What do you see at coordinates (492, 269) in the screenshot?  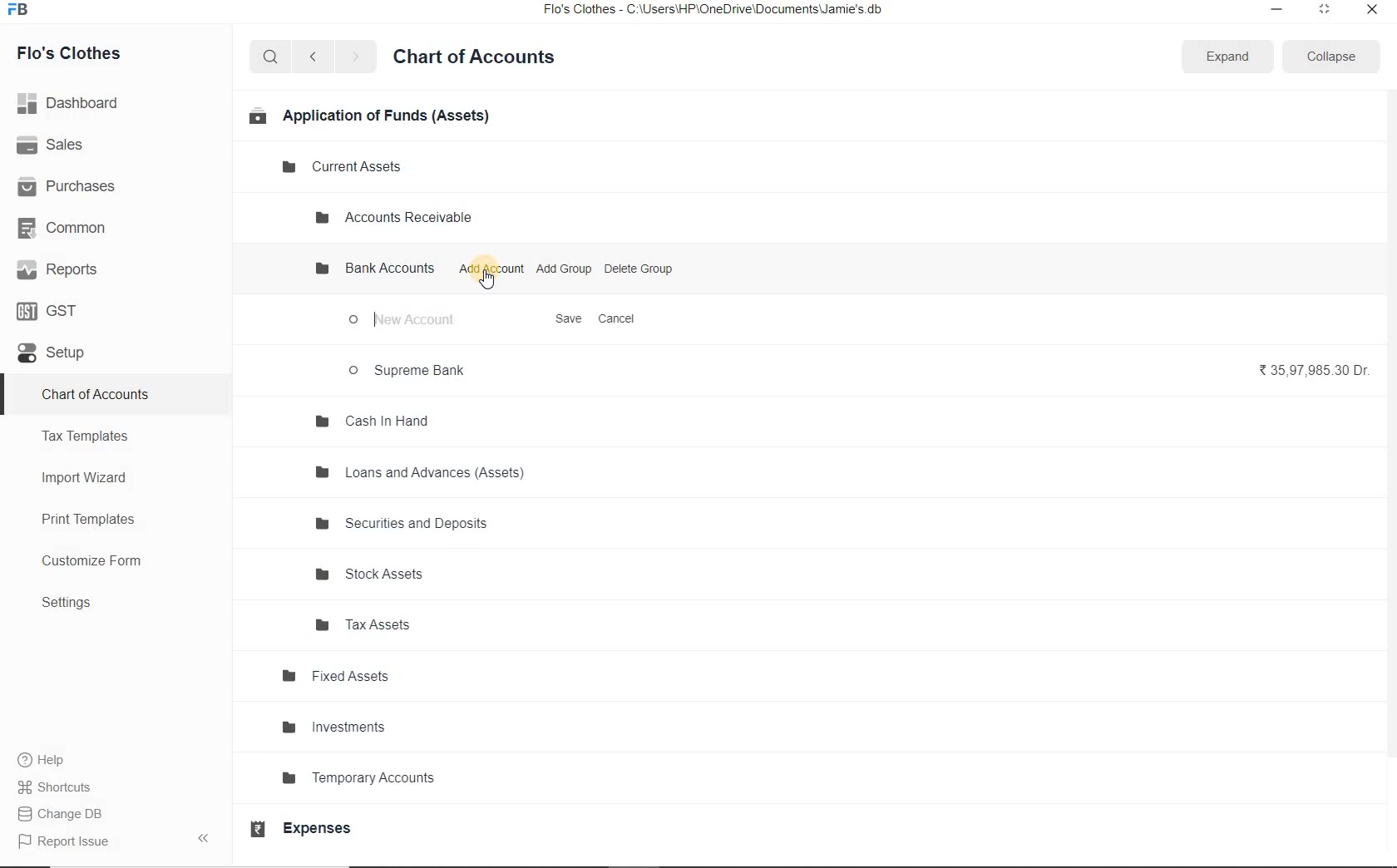 I see `Add Account` at bounding box center [492, 269].